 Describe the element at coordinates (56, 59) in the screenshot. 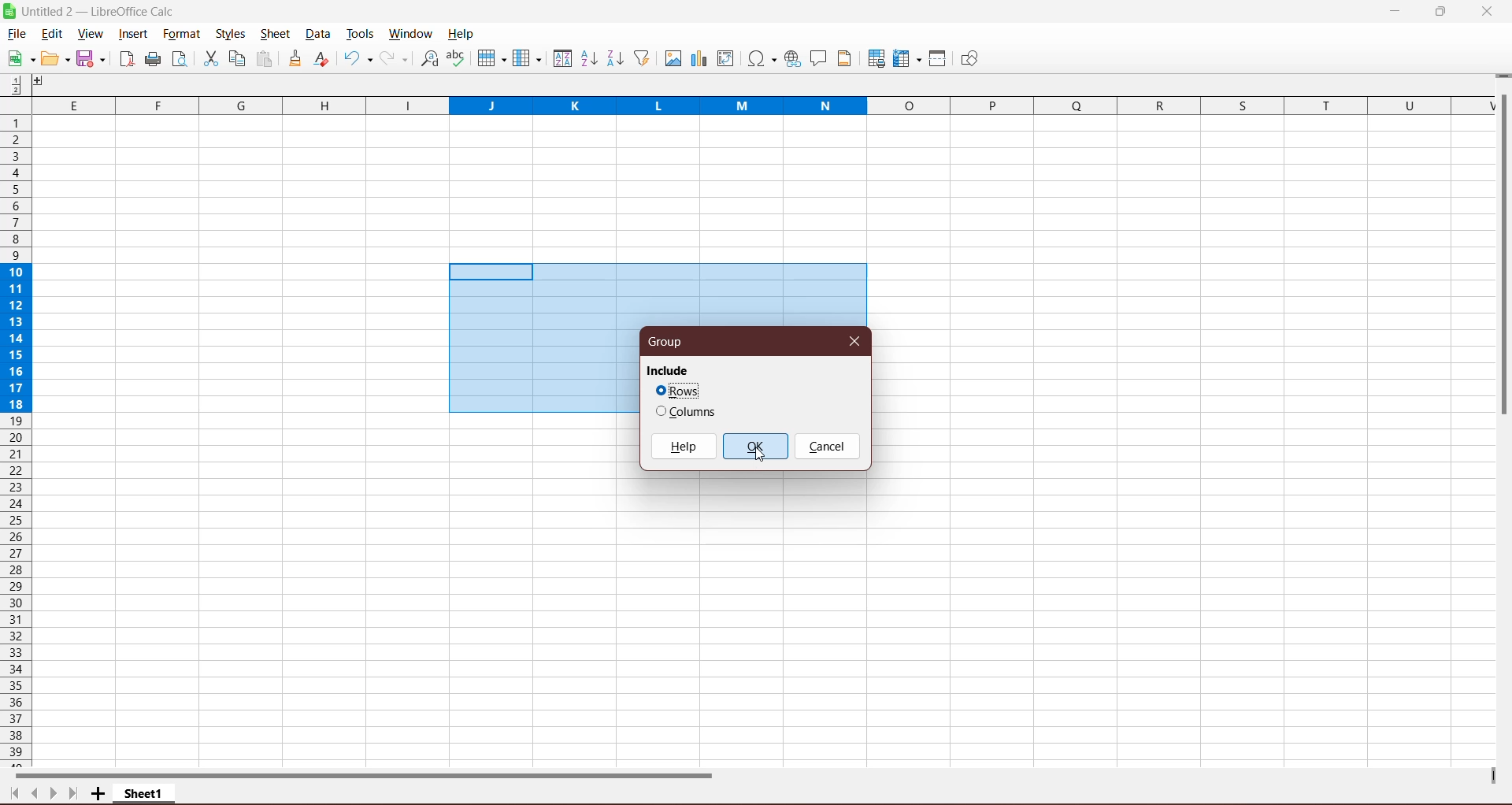

I see `Edit` at that location.